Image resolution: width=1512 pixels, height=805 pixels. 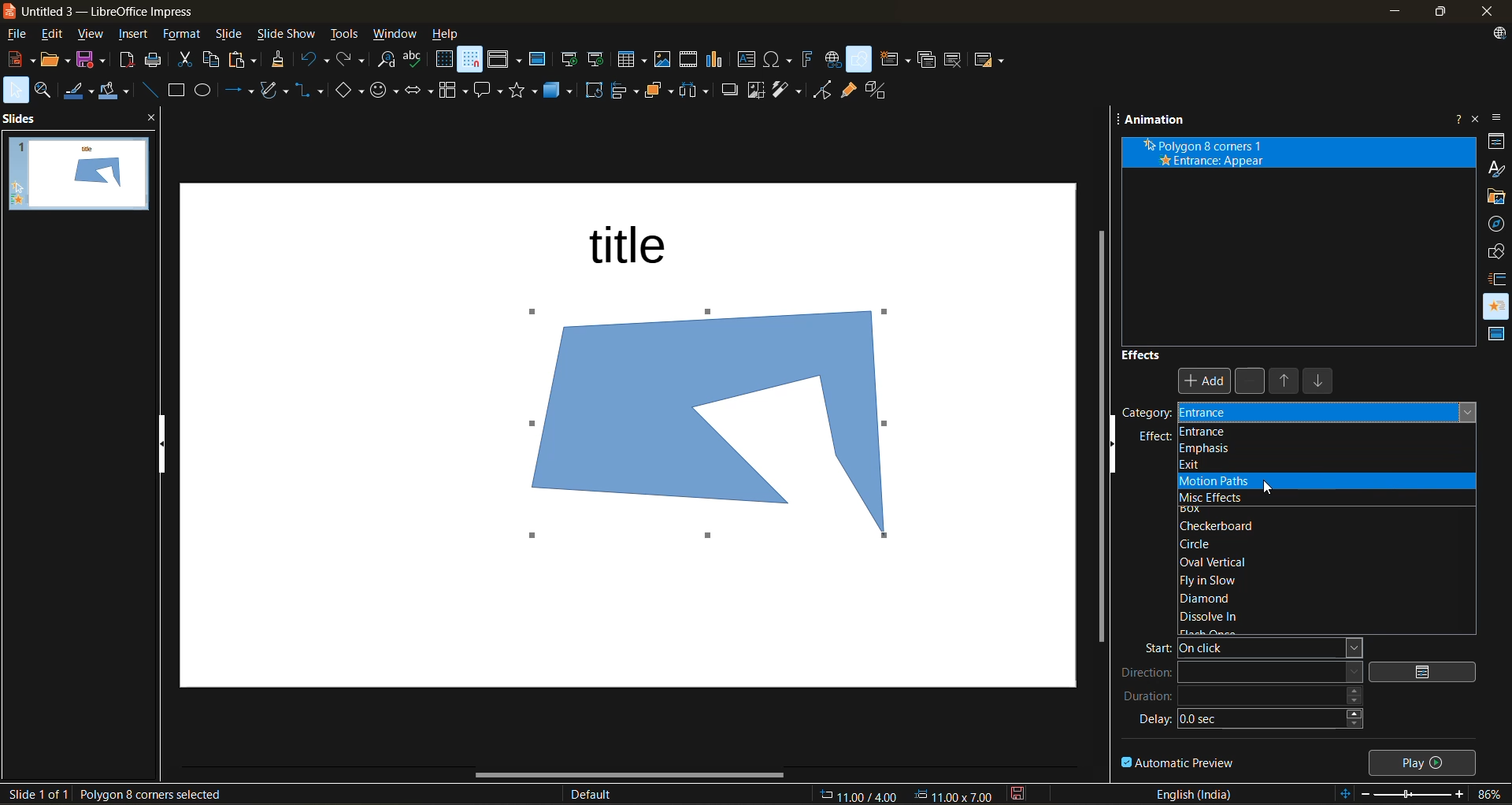 I want to click on effect, so click(x=1152, y=439).